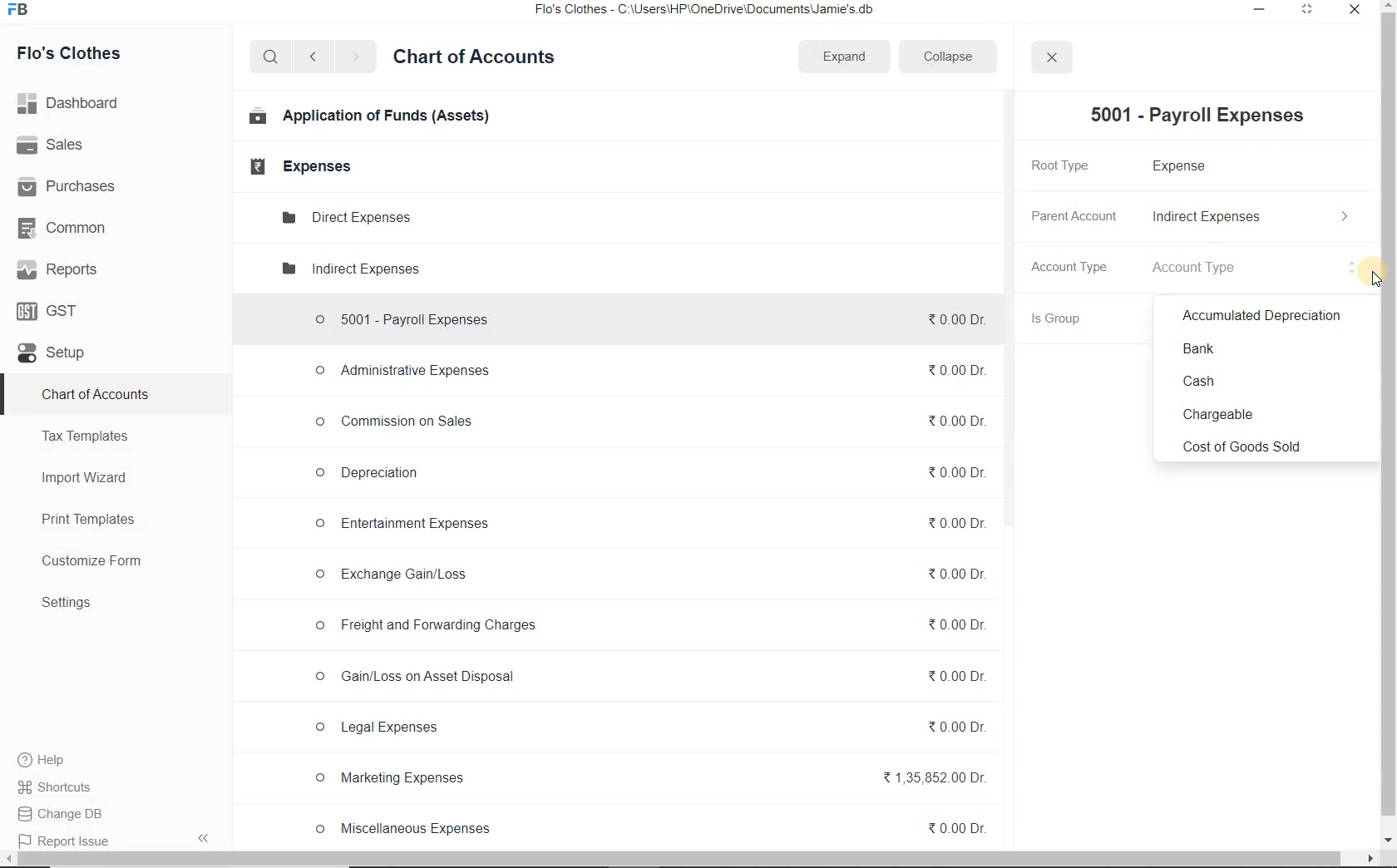  I want to click on vertical scrollbar, so click(1389, 414).